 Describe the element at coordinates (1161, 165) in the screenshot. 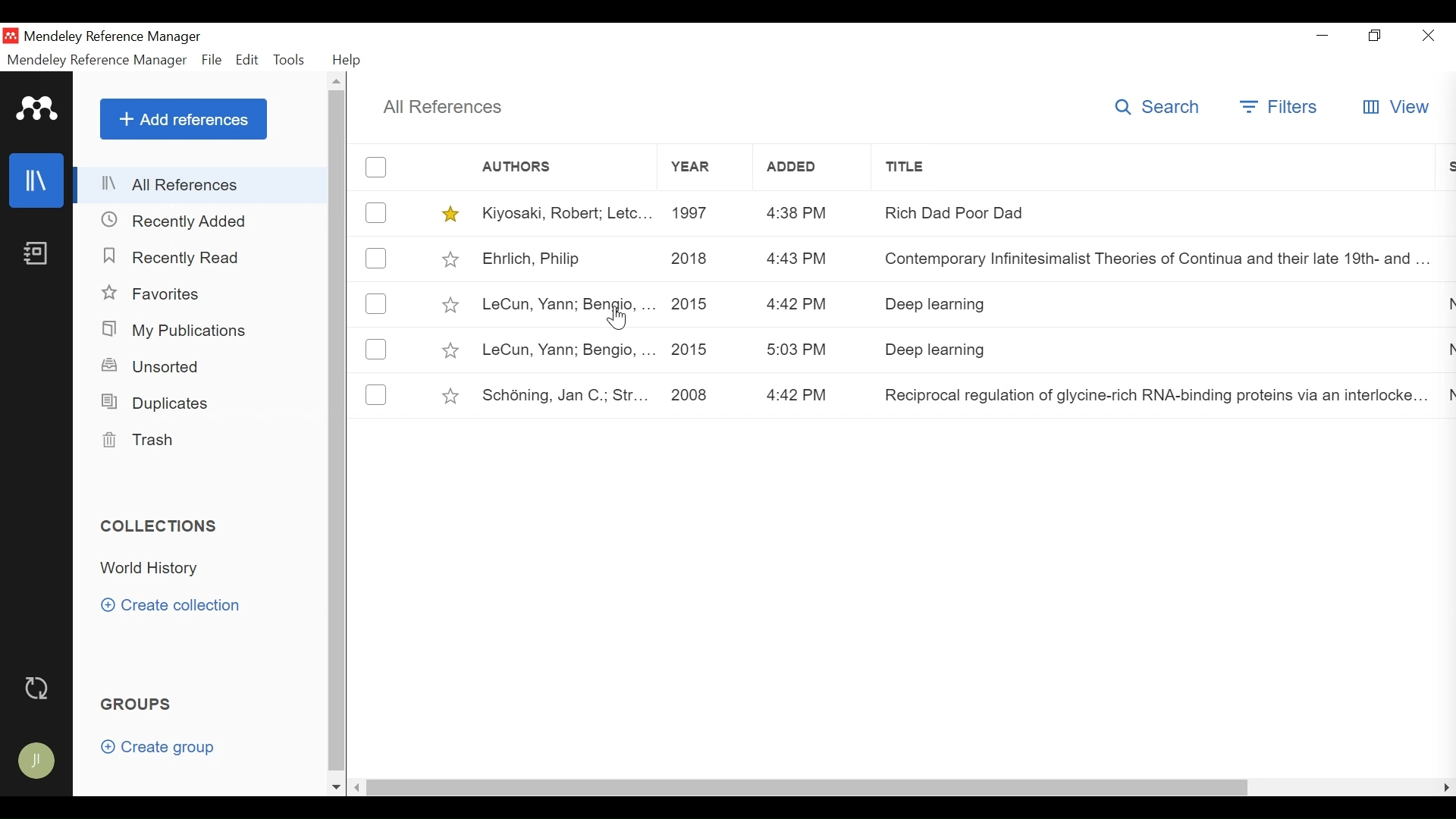

I see `Title` at that location.